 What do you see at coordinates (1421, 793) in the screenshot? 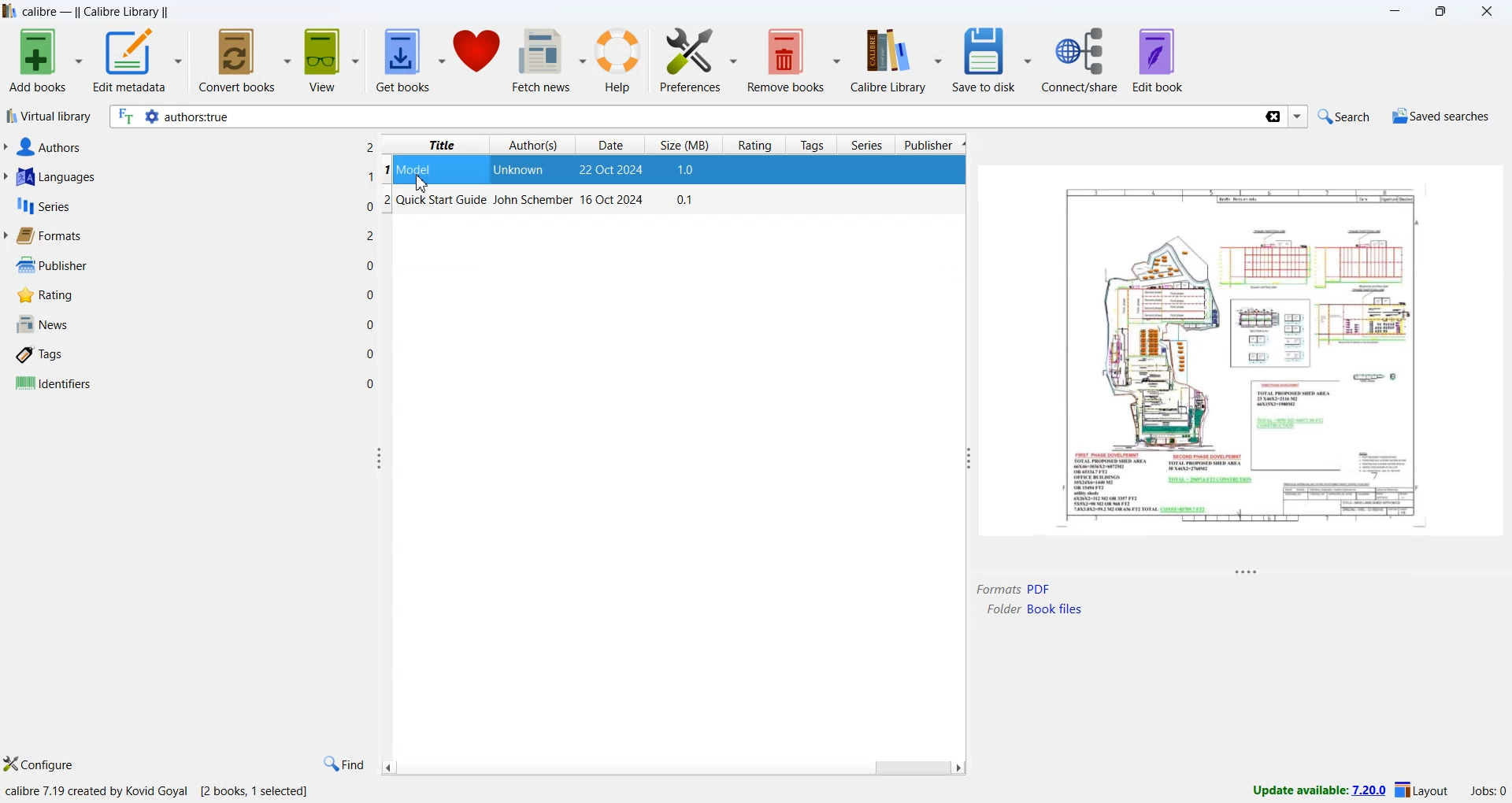
I see `change layout` at bounding box center [1421, 793].